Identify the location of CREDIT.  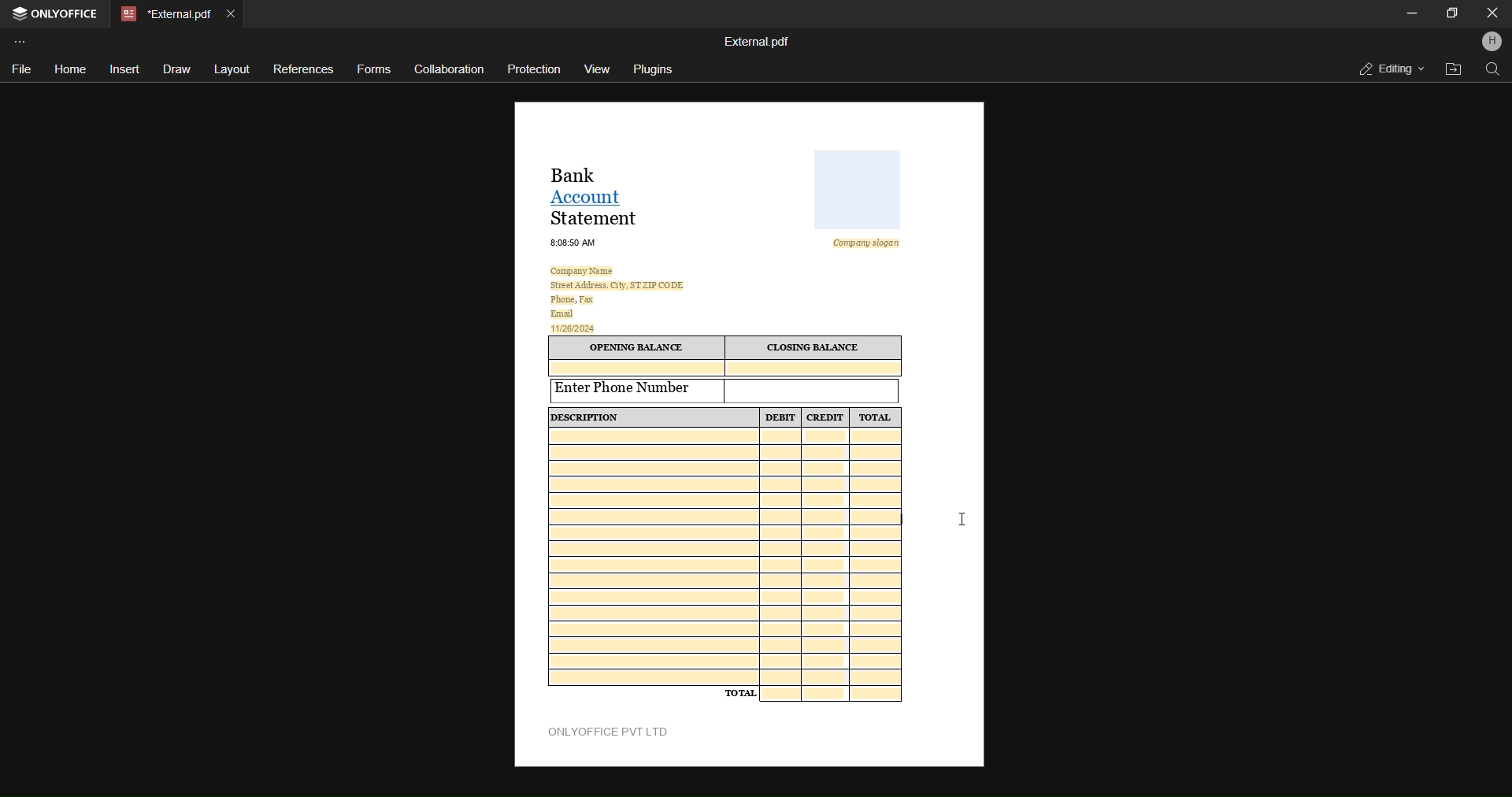
(825, 418).